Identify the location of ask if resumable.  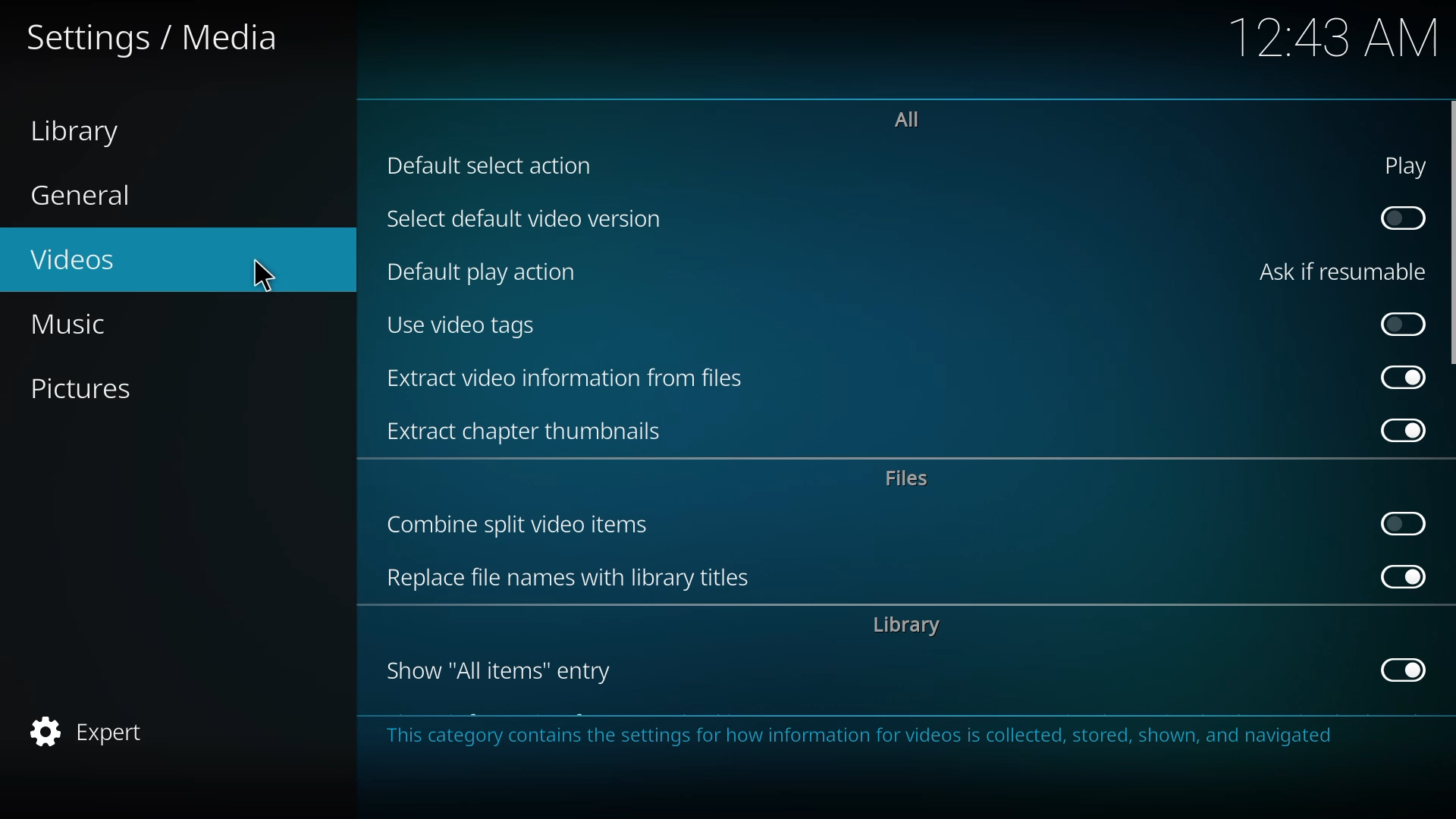
(1348, 270).